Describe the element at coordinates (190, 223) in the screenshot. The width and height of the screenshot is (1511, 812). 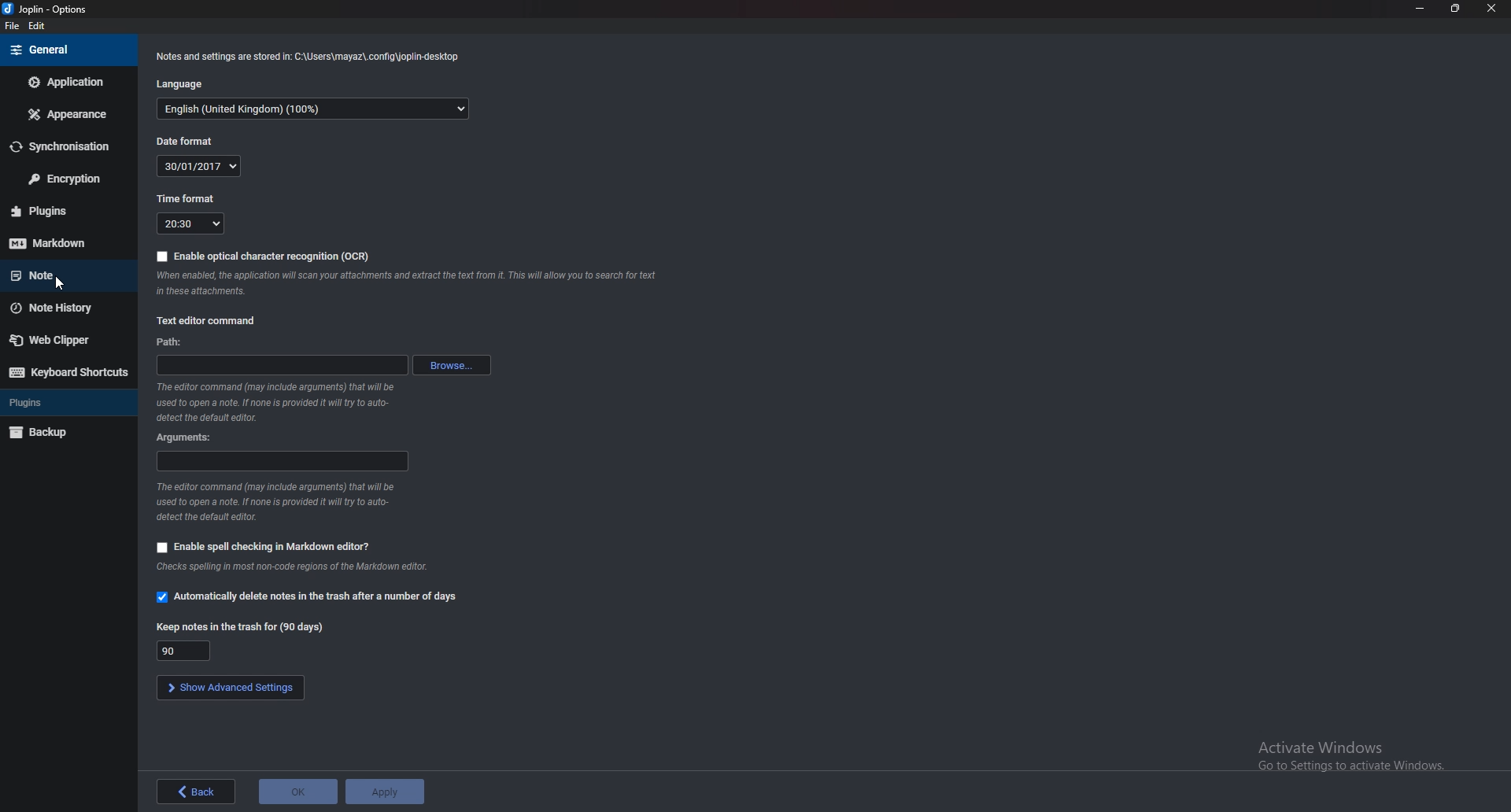
I see `Time format` at that location.